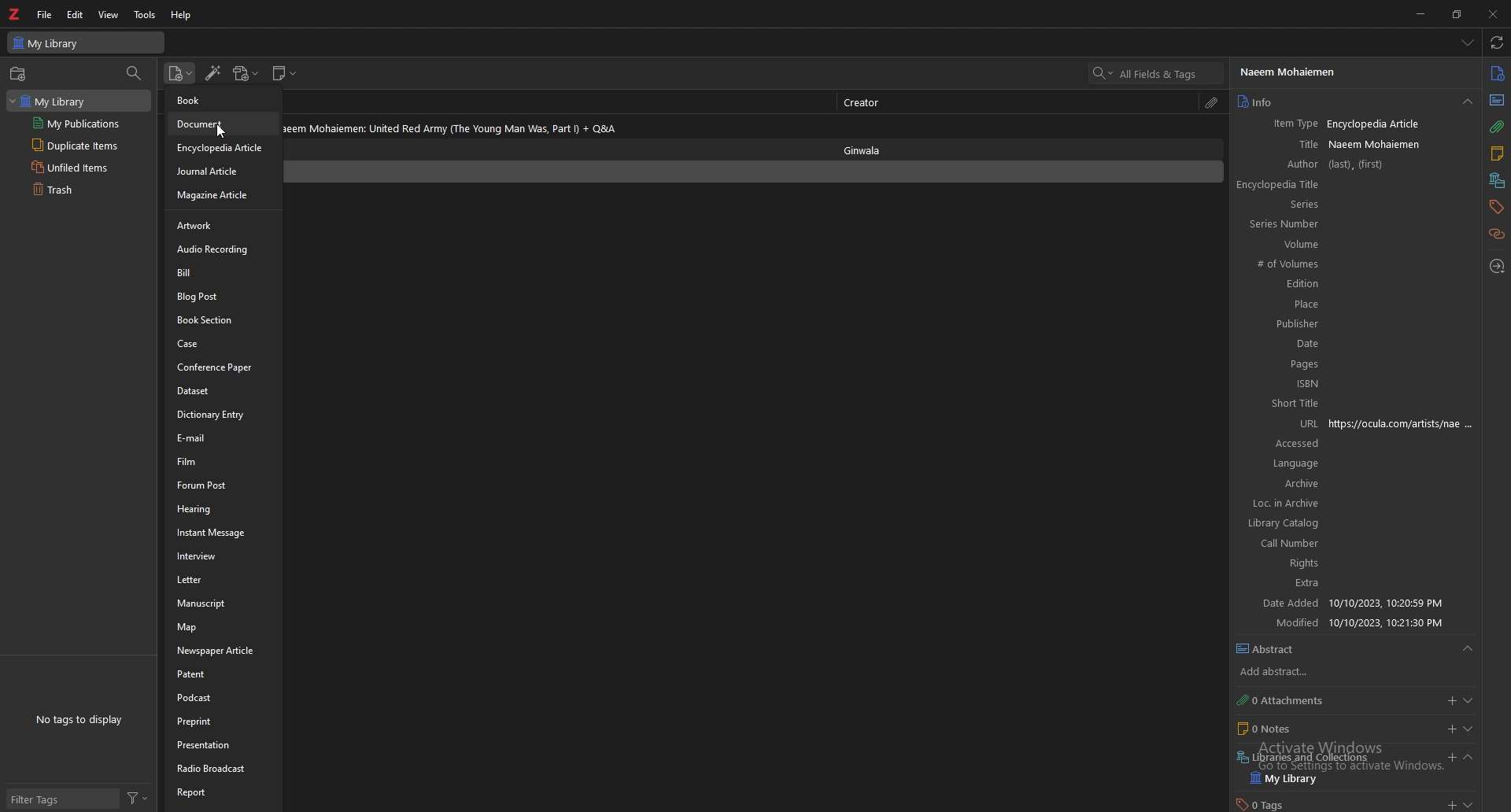 The height and width of the screenshot is (812, 1511). I want to click on blog post, so click(223, 295).